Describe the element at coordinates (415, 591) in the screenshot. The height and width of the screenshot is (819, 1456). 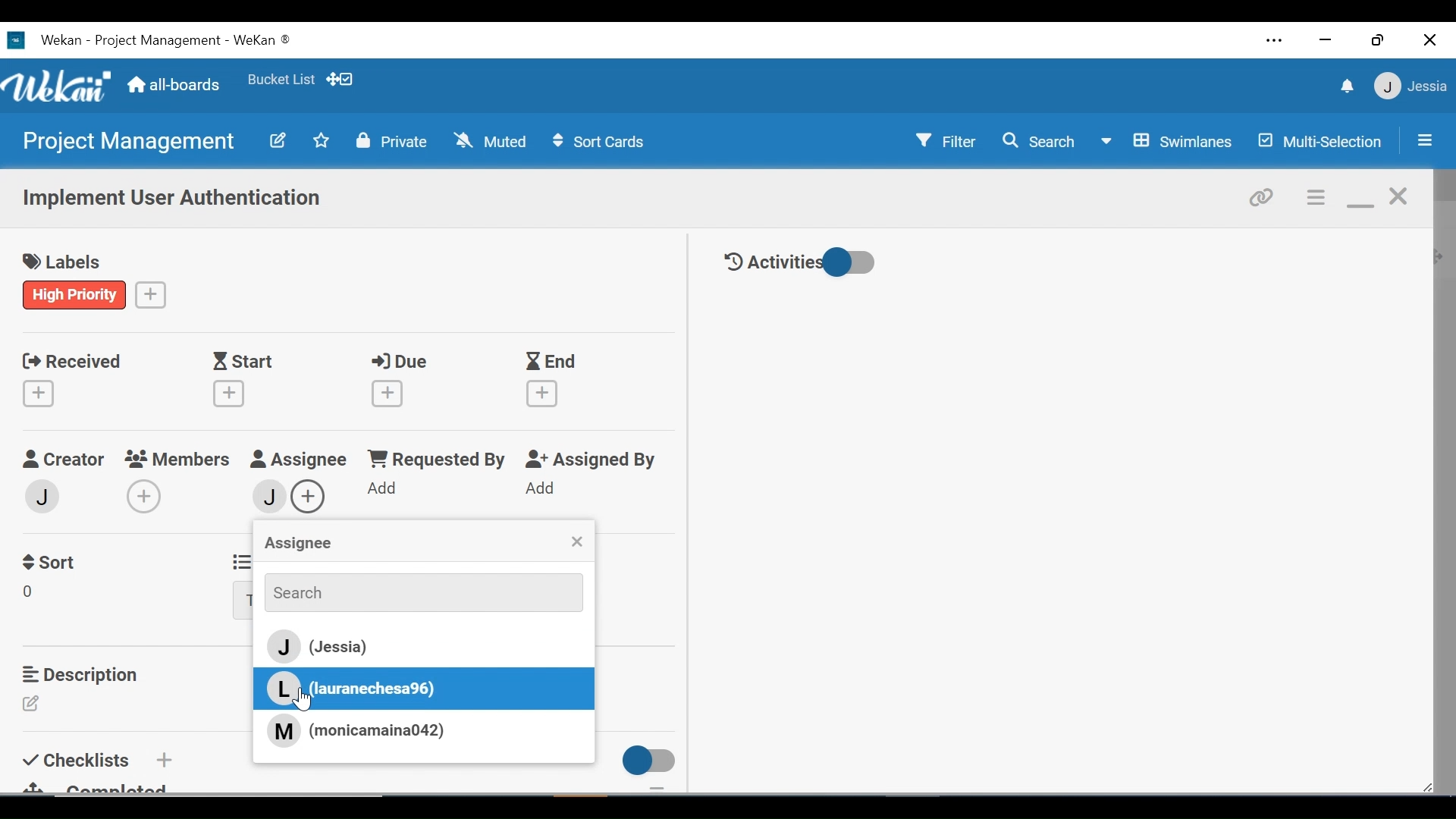
I see `Search members` at that location.